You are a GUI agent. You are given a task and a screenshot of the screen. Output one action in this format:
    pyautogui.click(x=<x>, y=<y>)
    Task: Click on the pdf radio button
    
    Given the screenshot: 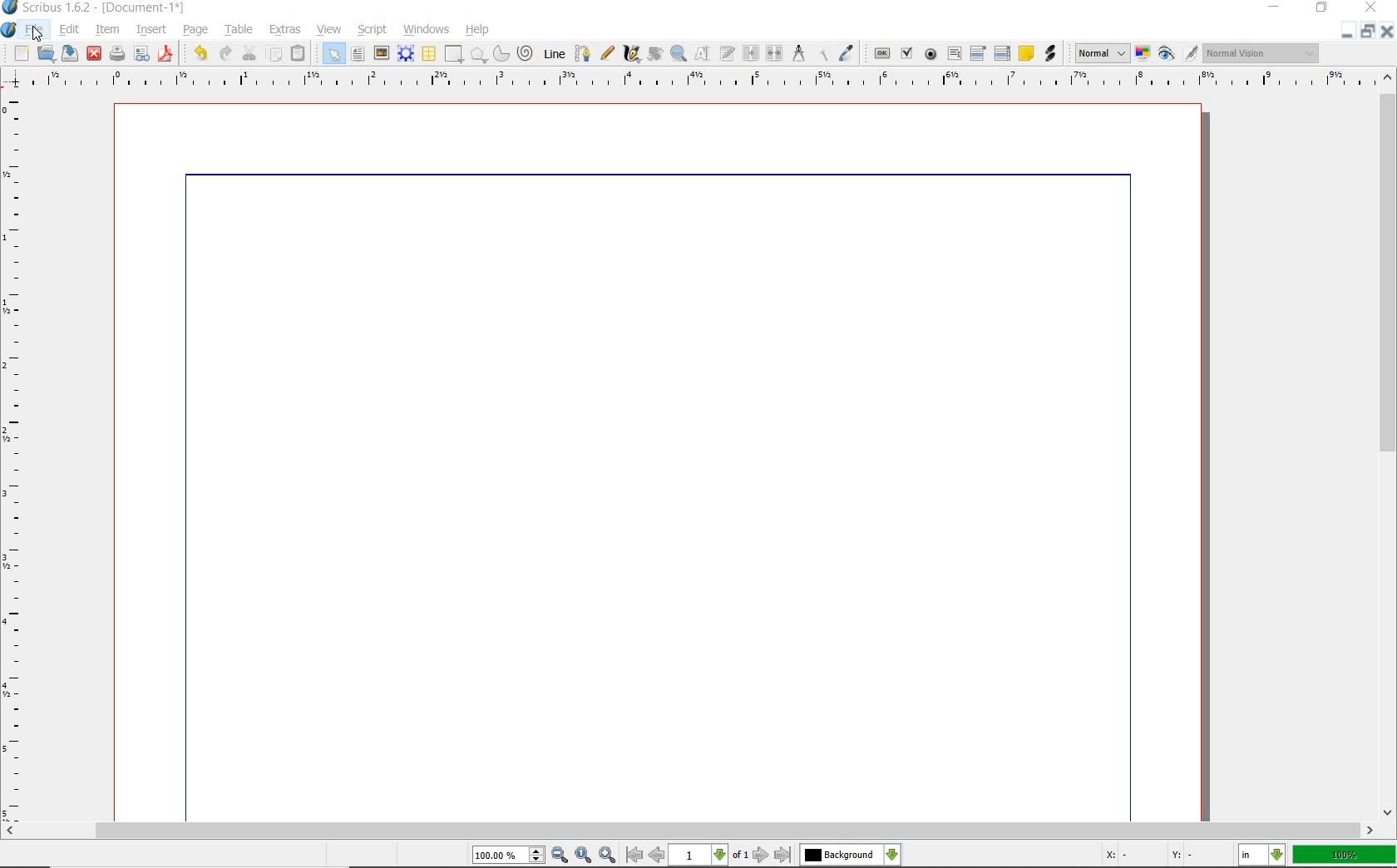 What is the action you would take?
    pyautogui.click(x=931, y=54)
    